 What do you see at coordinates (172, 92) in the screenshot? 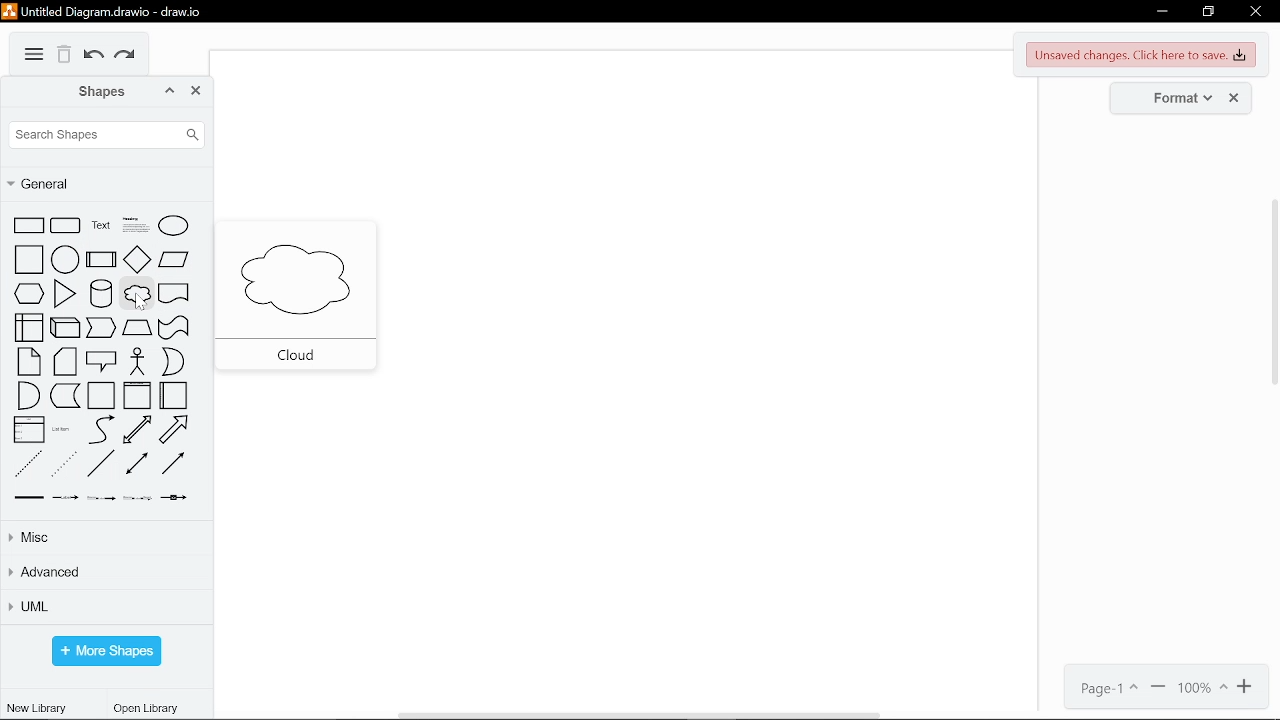
I see `collapse` at bounding box center [172, 92].